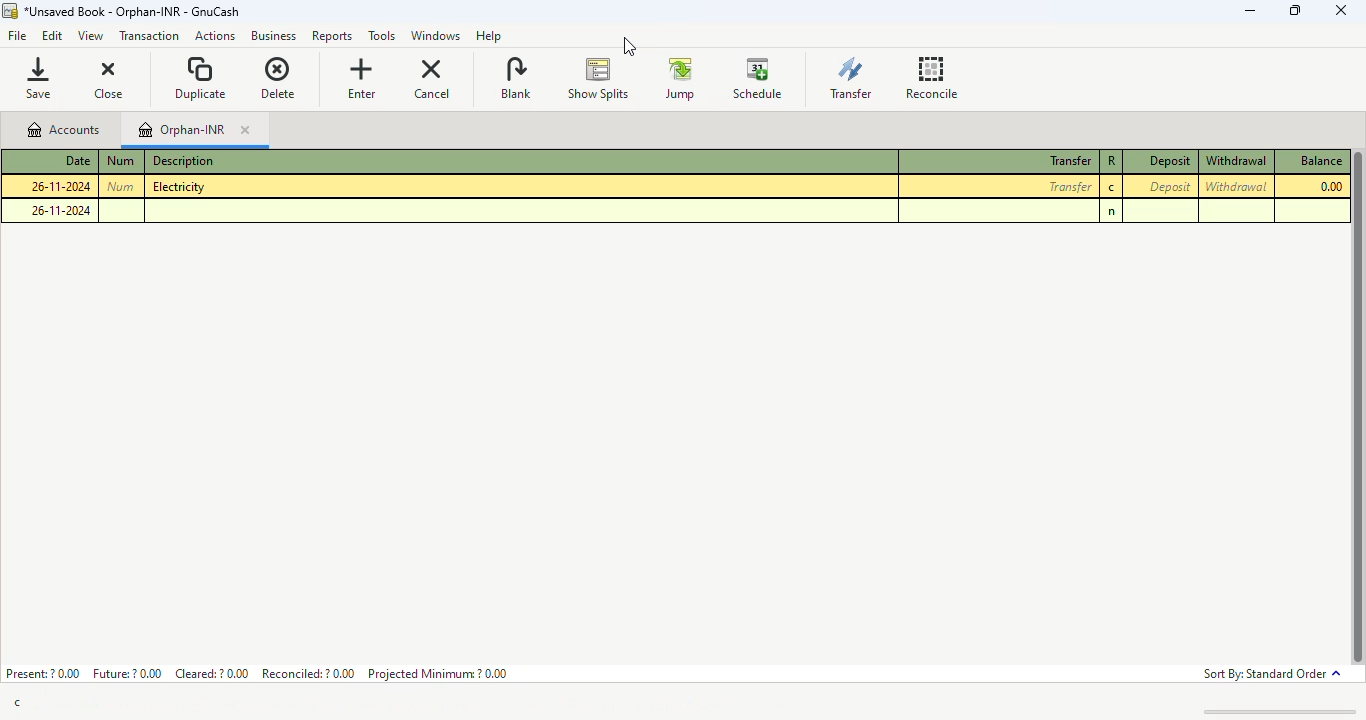 The width and height of the screenshot is (1366, 720). What do you see at coordinates (432, 78) in the screenshot?
I see `cancel` at bounding box center [432, 78].